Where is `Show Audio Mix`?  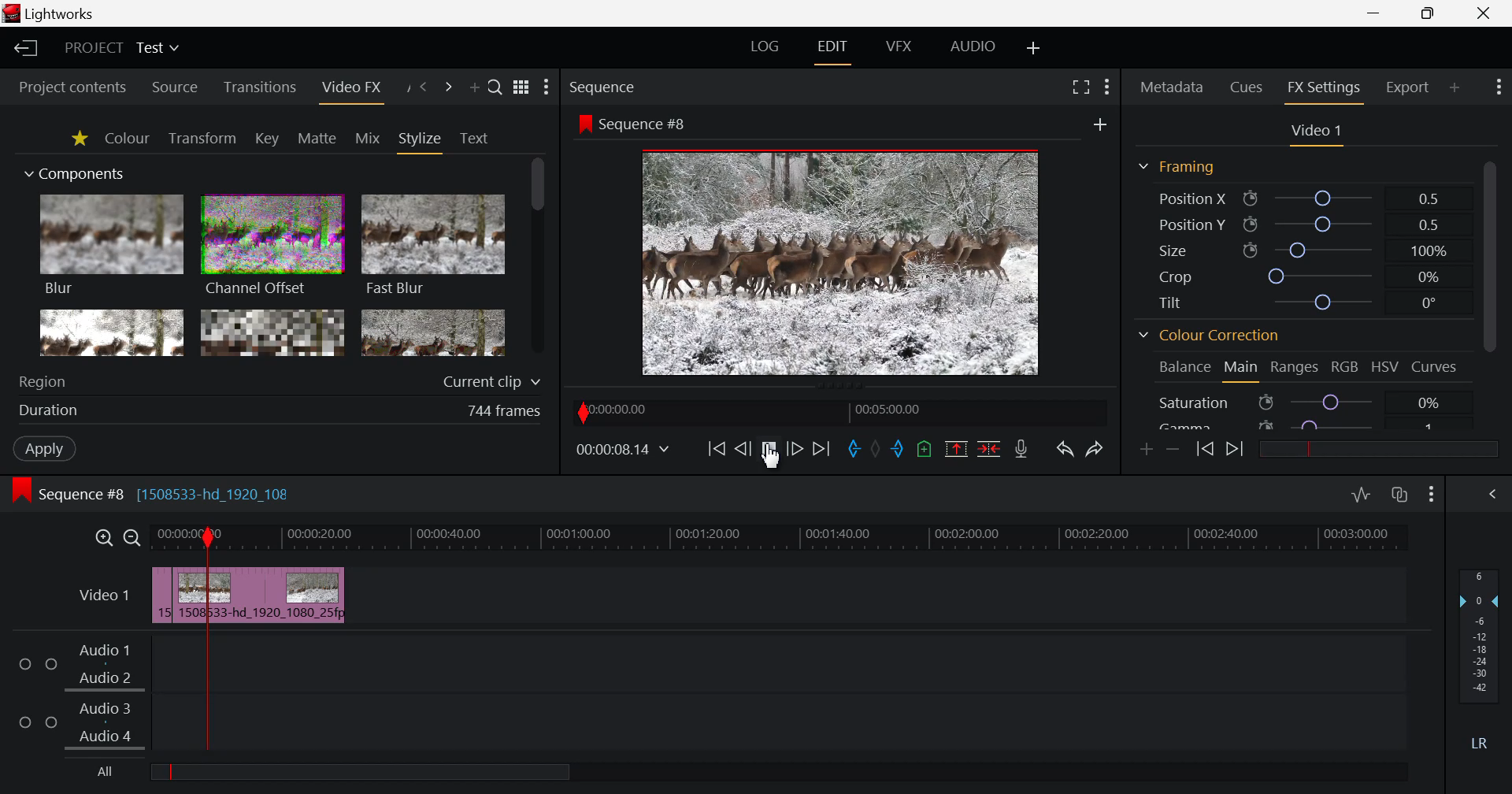 Show Audio Mix is located at coordinates (1494, 495).